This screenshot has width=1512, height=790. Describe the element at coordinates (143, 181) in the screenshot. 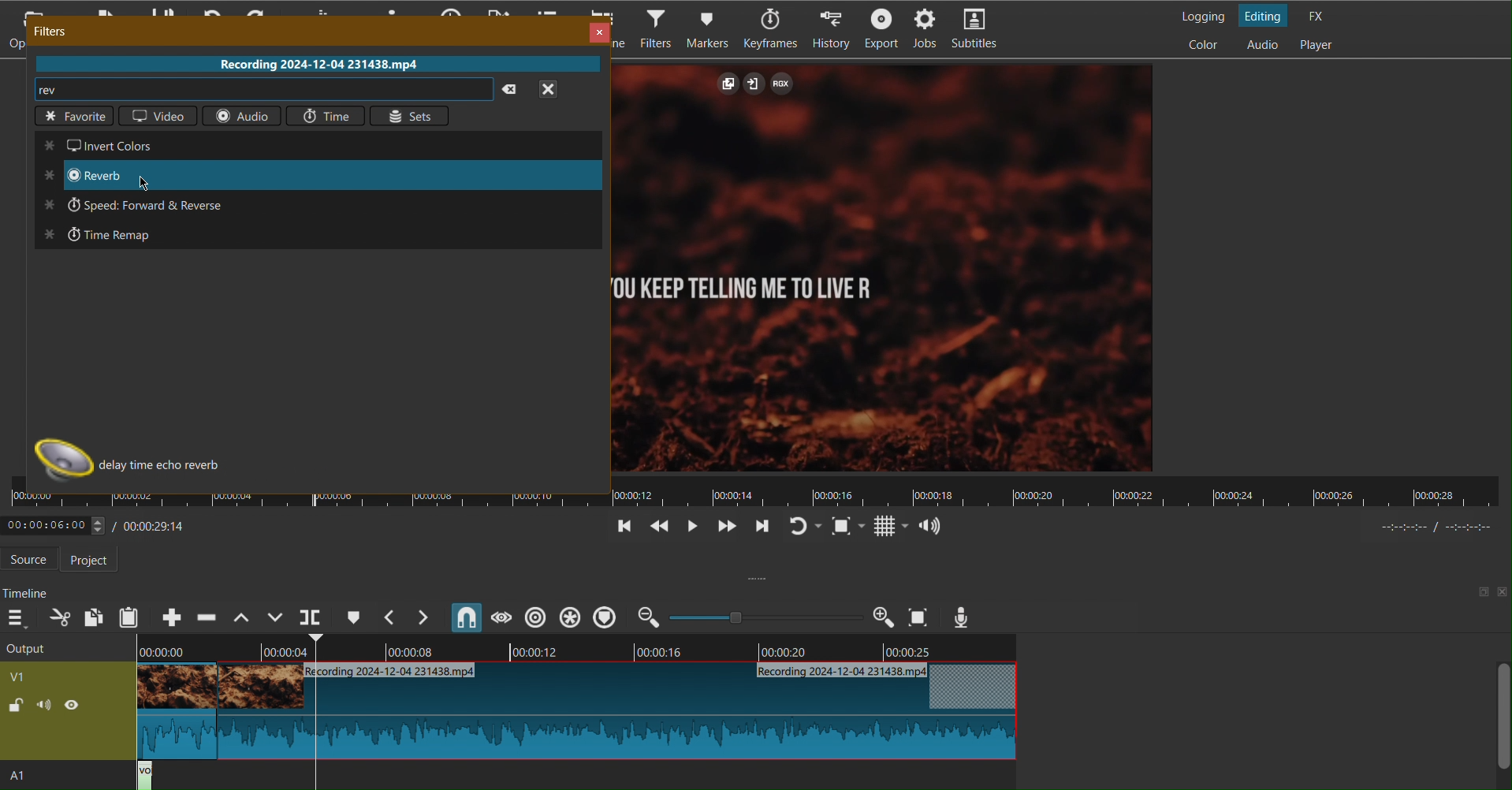

I see `Cursor at Reverb` at that location.